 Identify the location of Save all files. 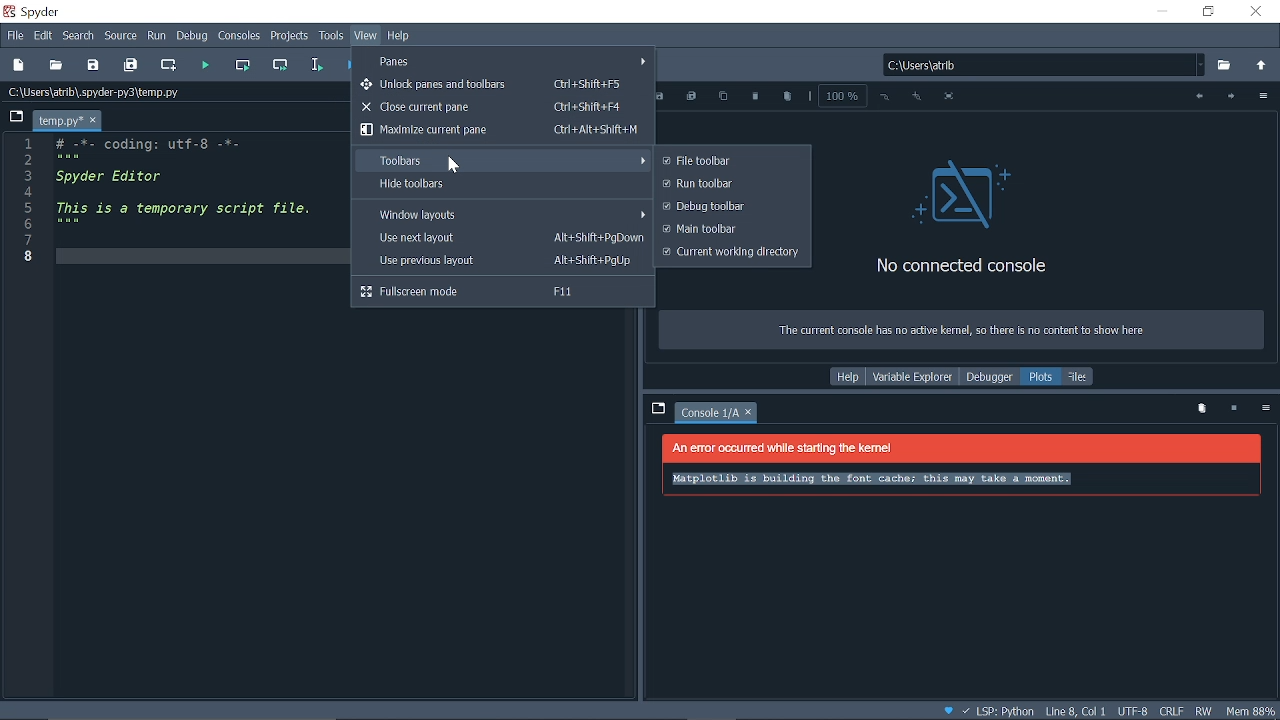
(132, 63).